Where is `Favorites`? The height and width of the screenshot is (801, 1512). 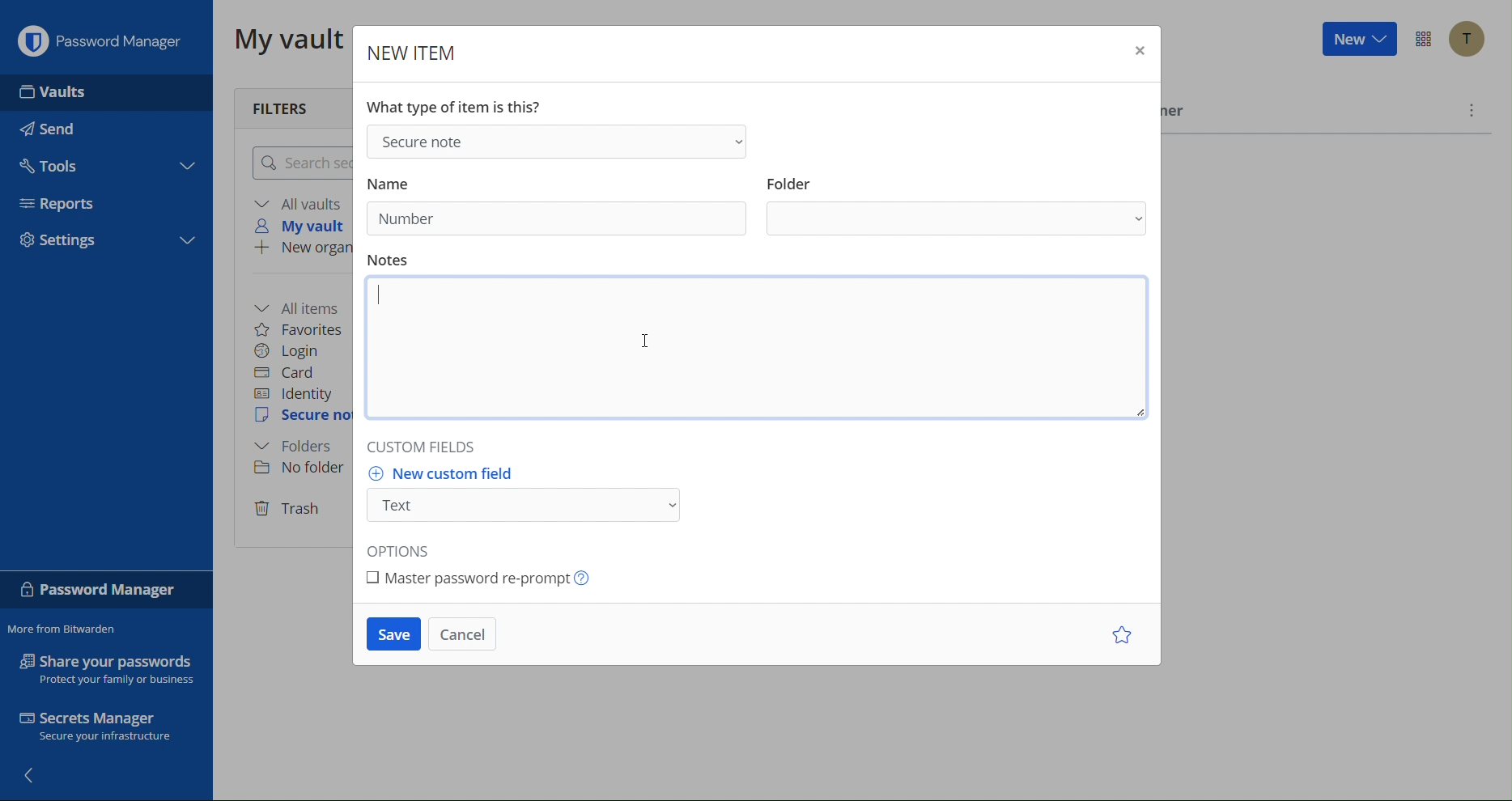
Favorites is located at coordinates (304, 328).